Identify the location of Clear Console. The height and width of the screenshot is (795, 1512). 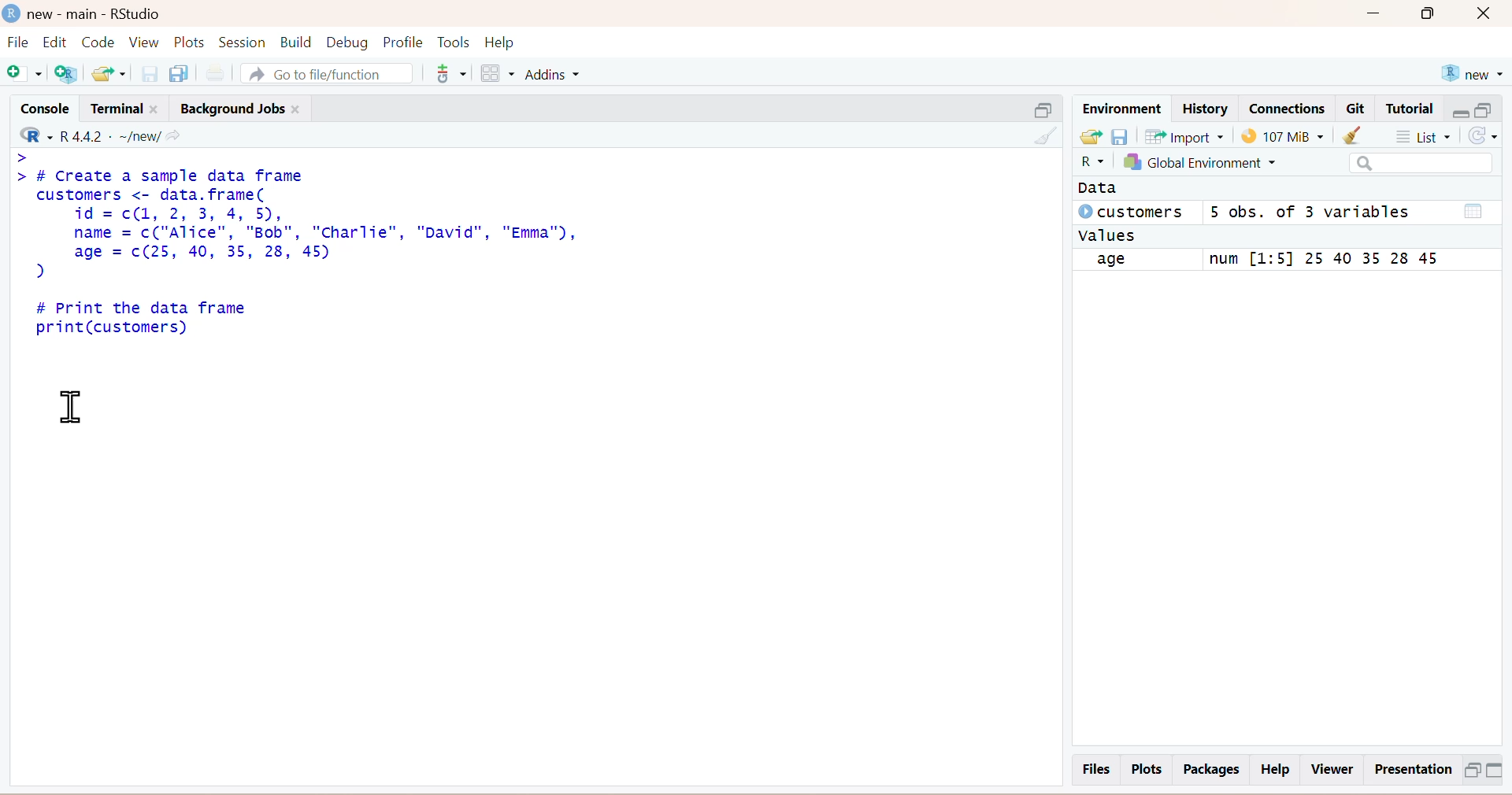
(1042, 135).